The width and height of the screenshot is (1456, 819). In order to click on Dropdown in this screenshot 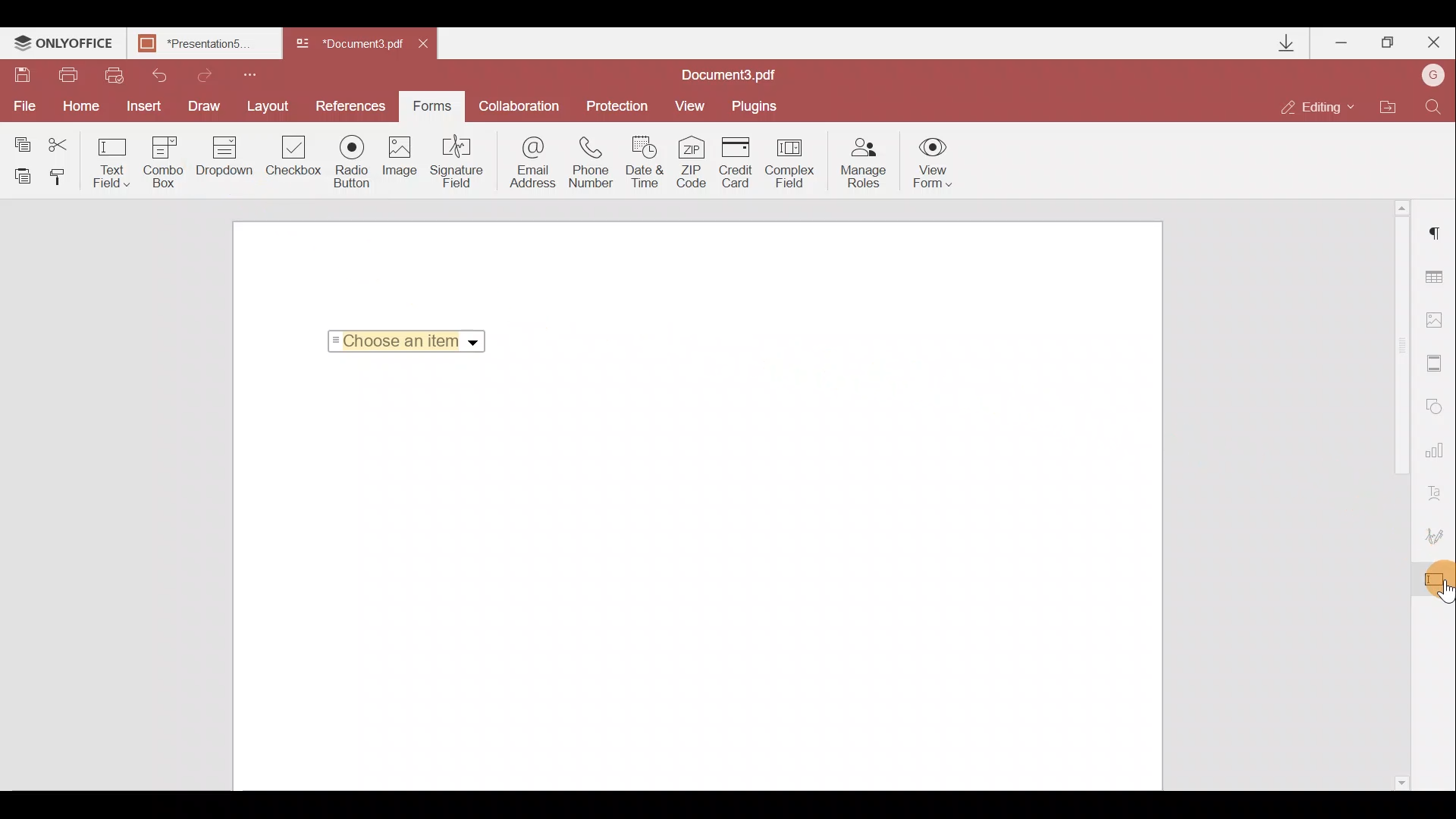, I will do `click(472, 342)`.